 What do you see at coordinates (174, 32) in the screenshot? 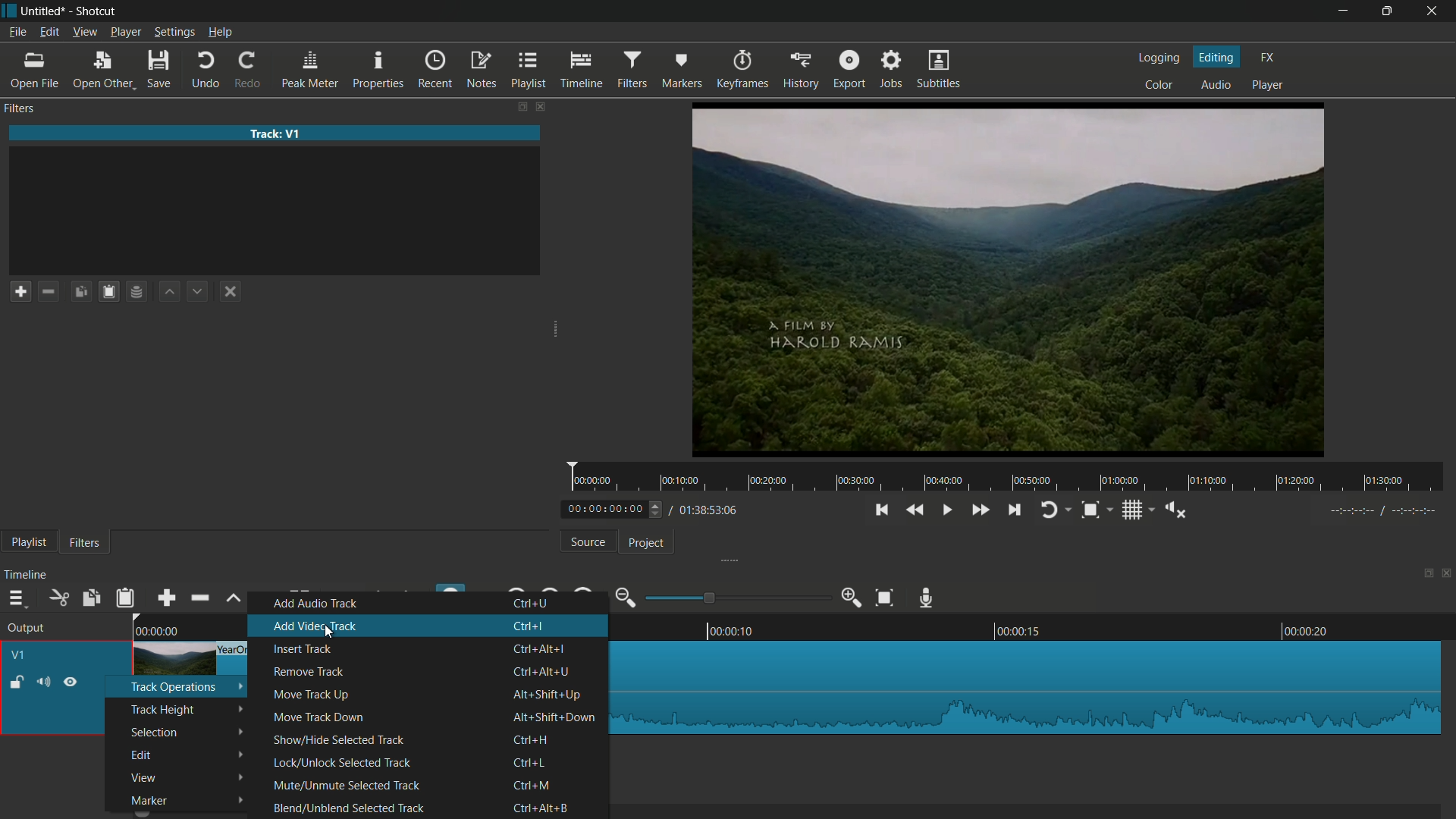
I see `settings menu` at bounding box center [174, 32].